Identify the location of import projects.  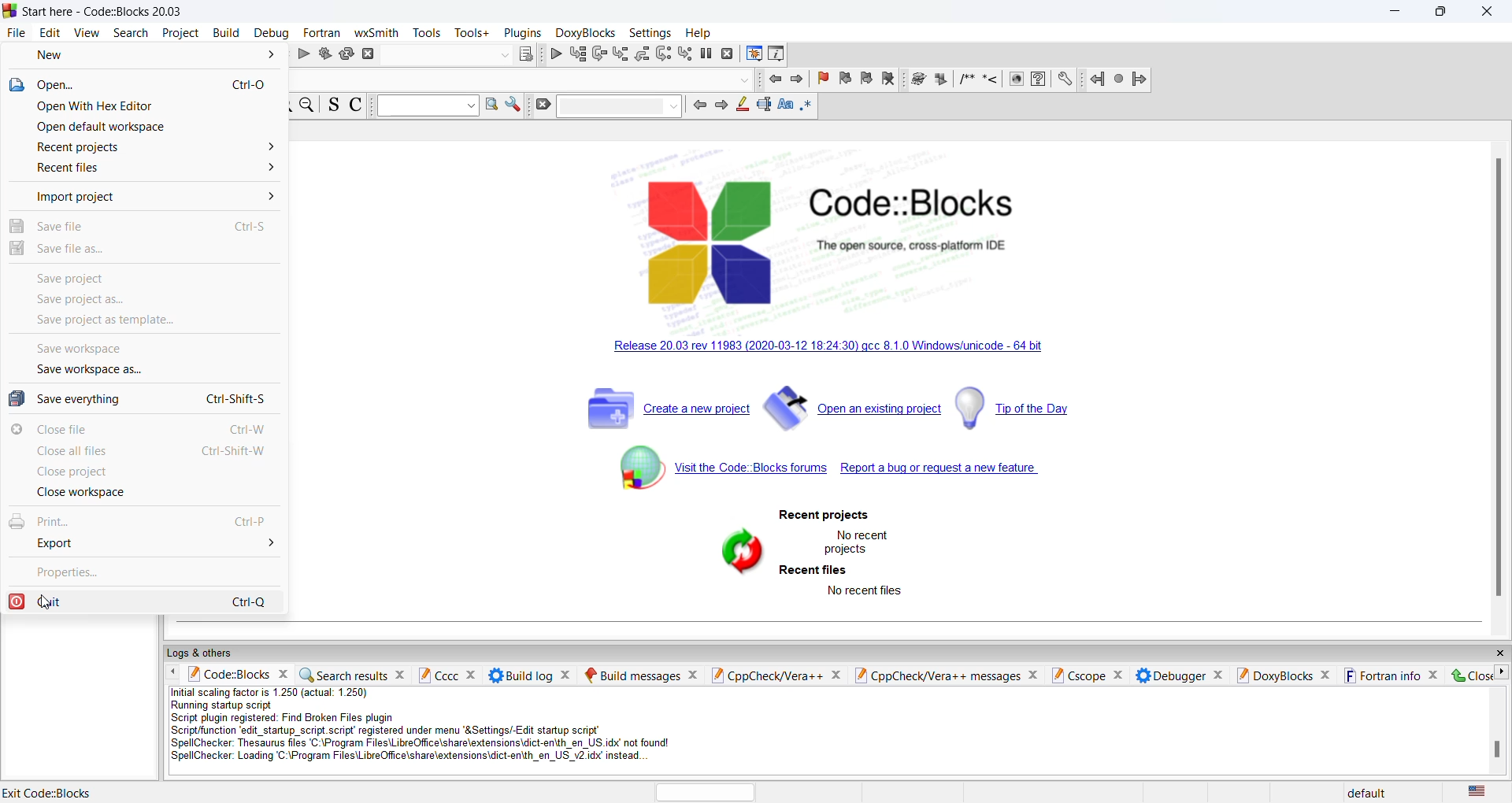
(141, 198).